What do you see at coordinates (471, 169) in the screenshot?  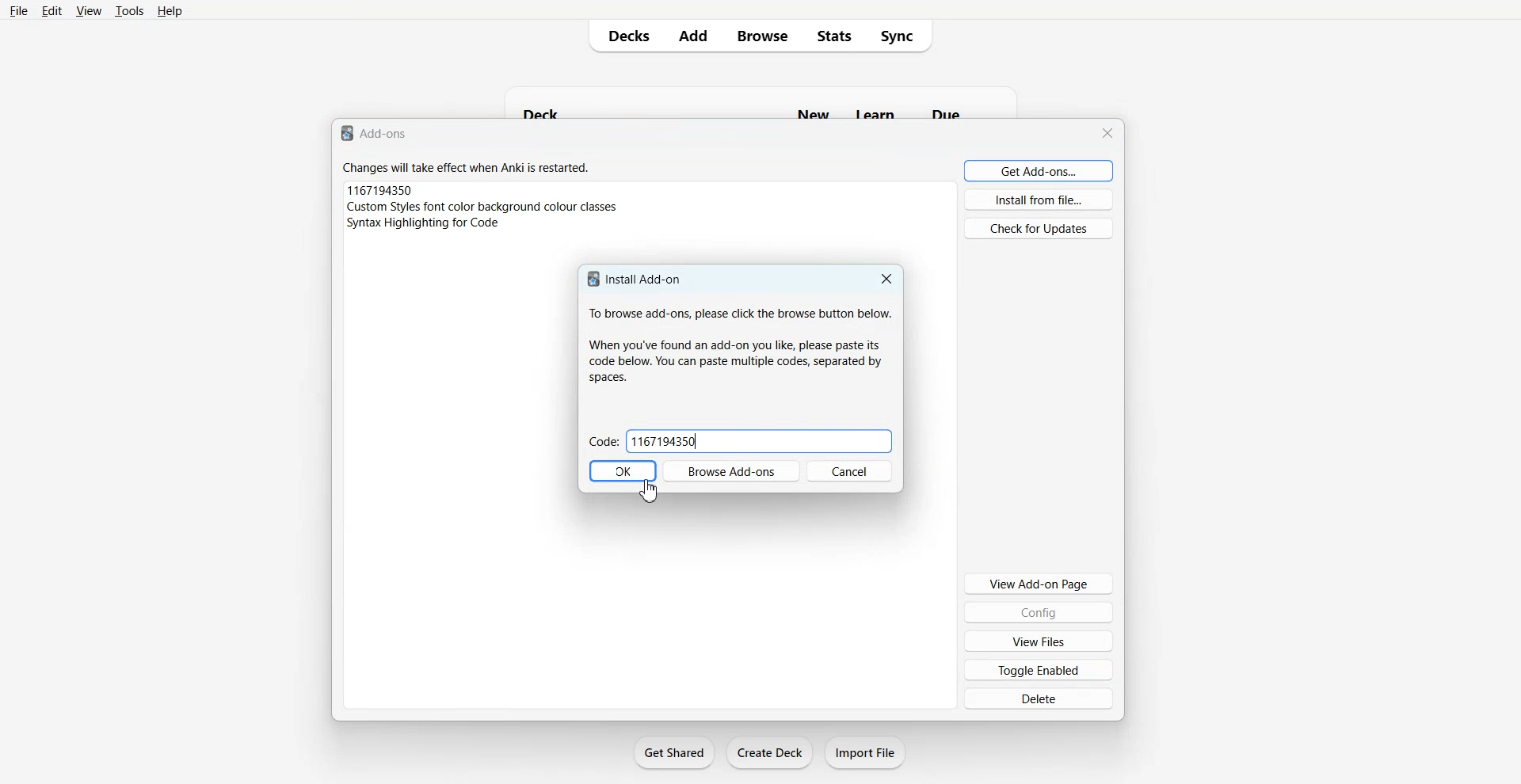 I see `Changes will take effect when Anki is restarted.` at bounding box center [471, 169].